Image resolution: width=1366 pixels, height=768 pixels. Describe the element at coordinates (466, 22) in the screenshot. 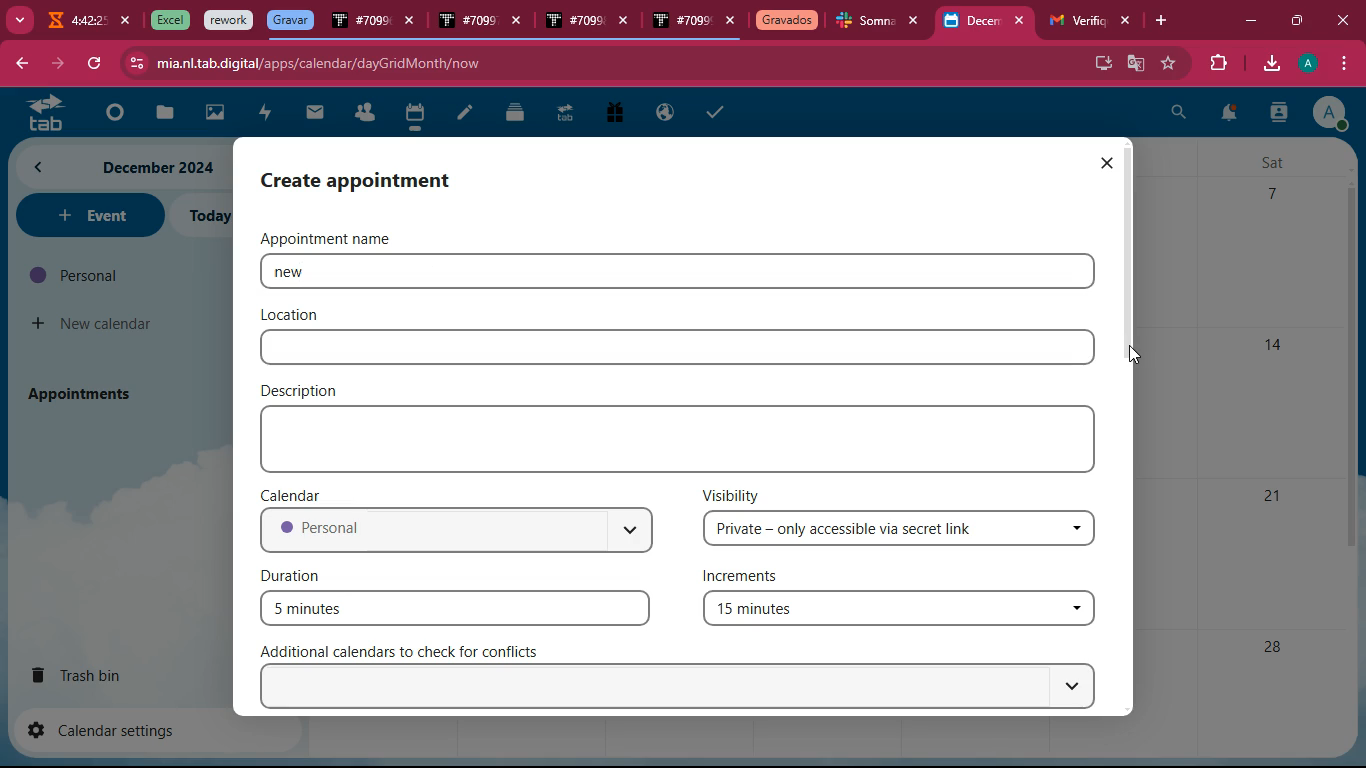

I see `tab` at that location.